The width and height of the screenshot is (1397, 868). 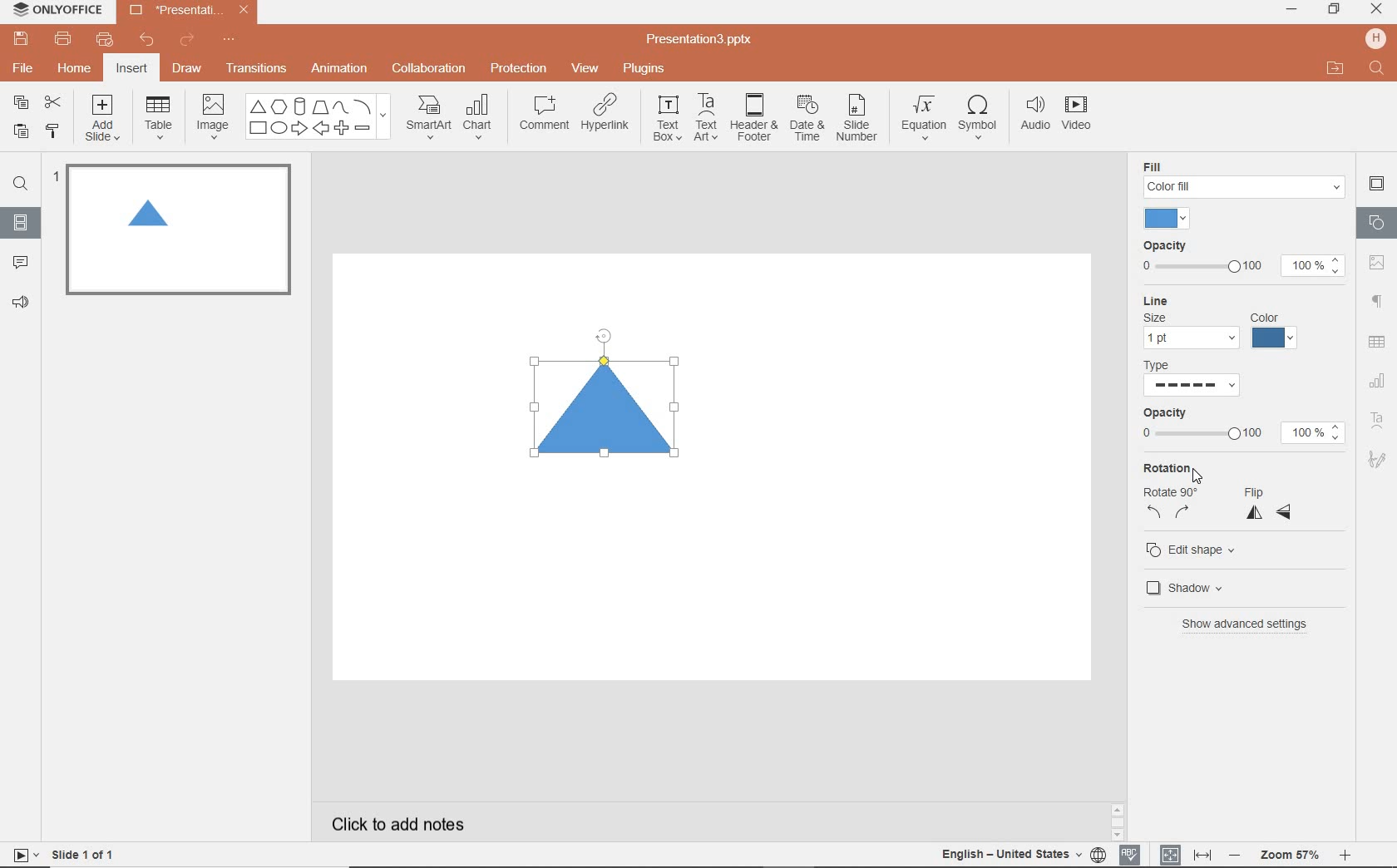 What do you see at coordinates (22, 105) in the screenshot?
I see `COPY` at bounding box center [22, 105].